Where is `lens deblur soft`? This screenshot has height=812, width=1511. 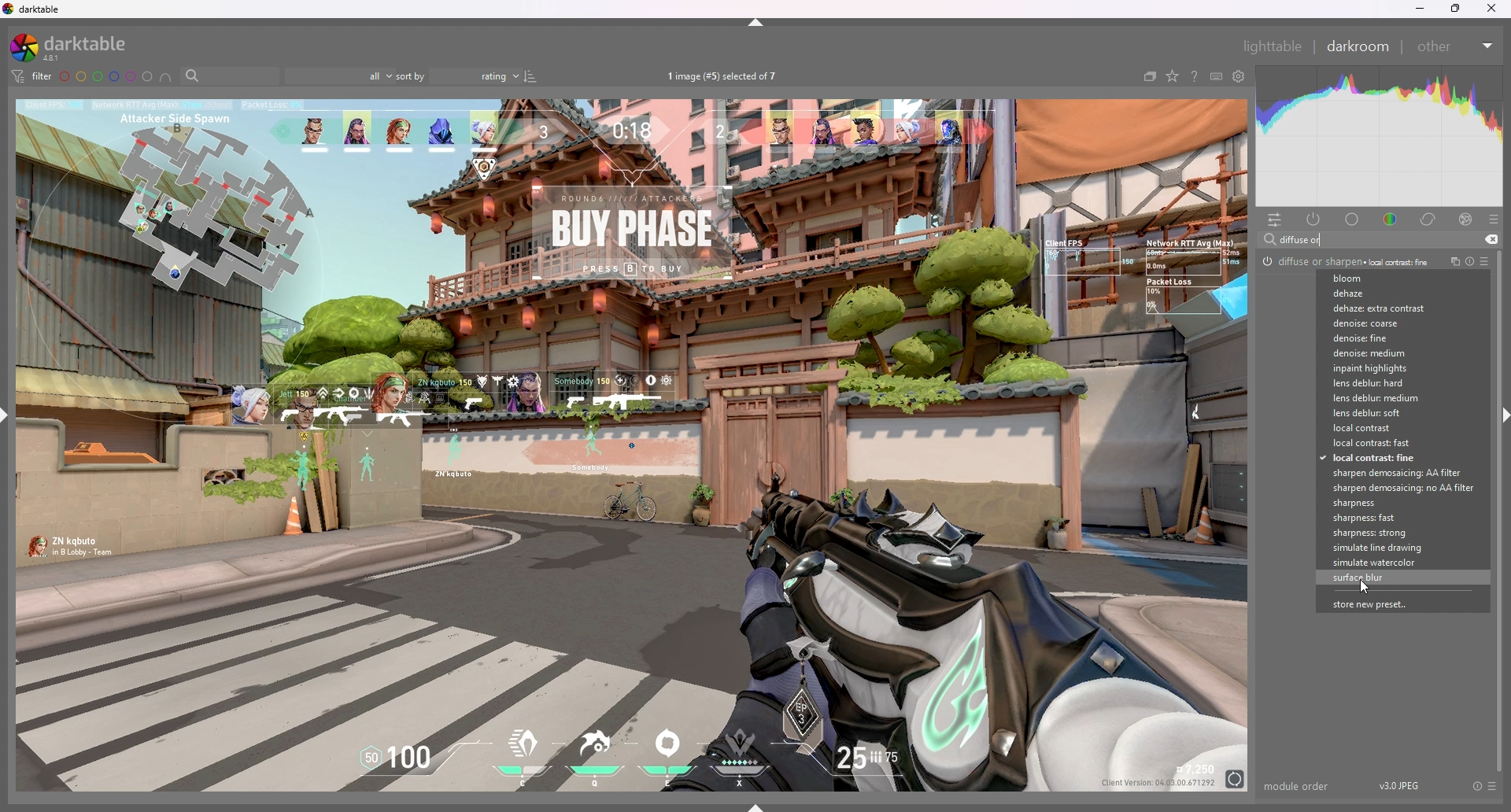
lens deblur soft is located at coordinates (1392, 414).